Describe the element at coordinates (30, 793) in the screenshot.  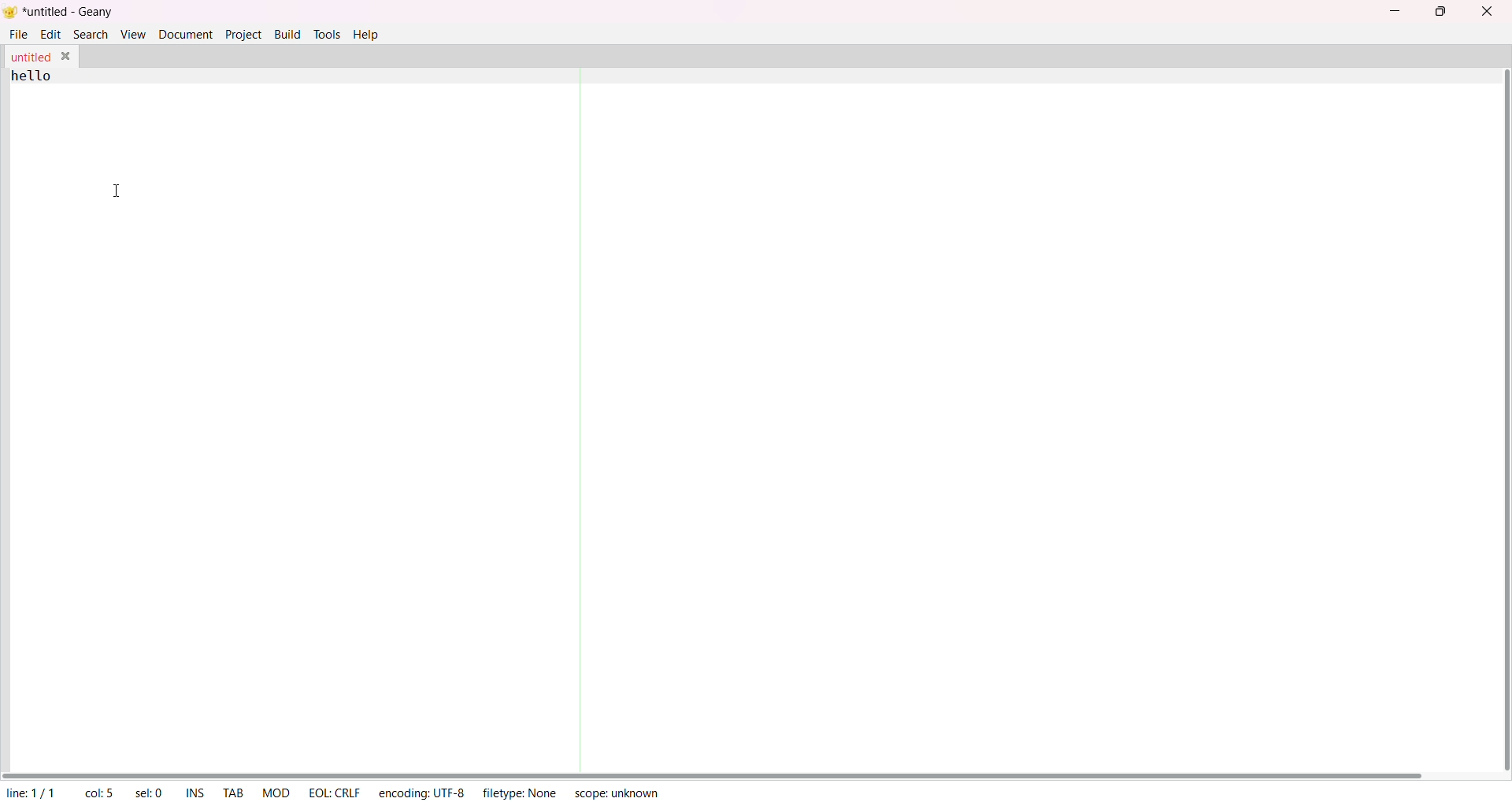
I see `line: 1/1` at that location.